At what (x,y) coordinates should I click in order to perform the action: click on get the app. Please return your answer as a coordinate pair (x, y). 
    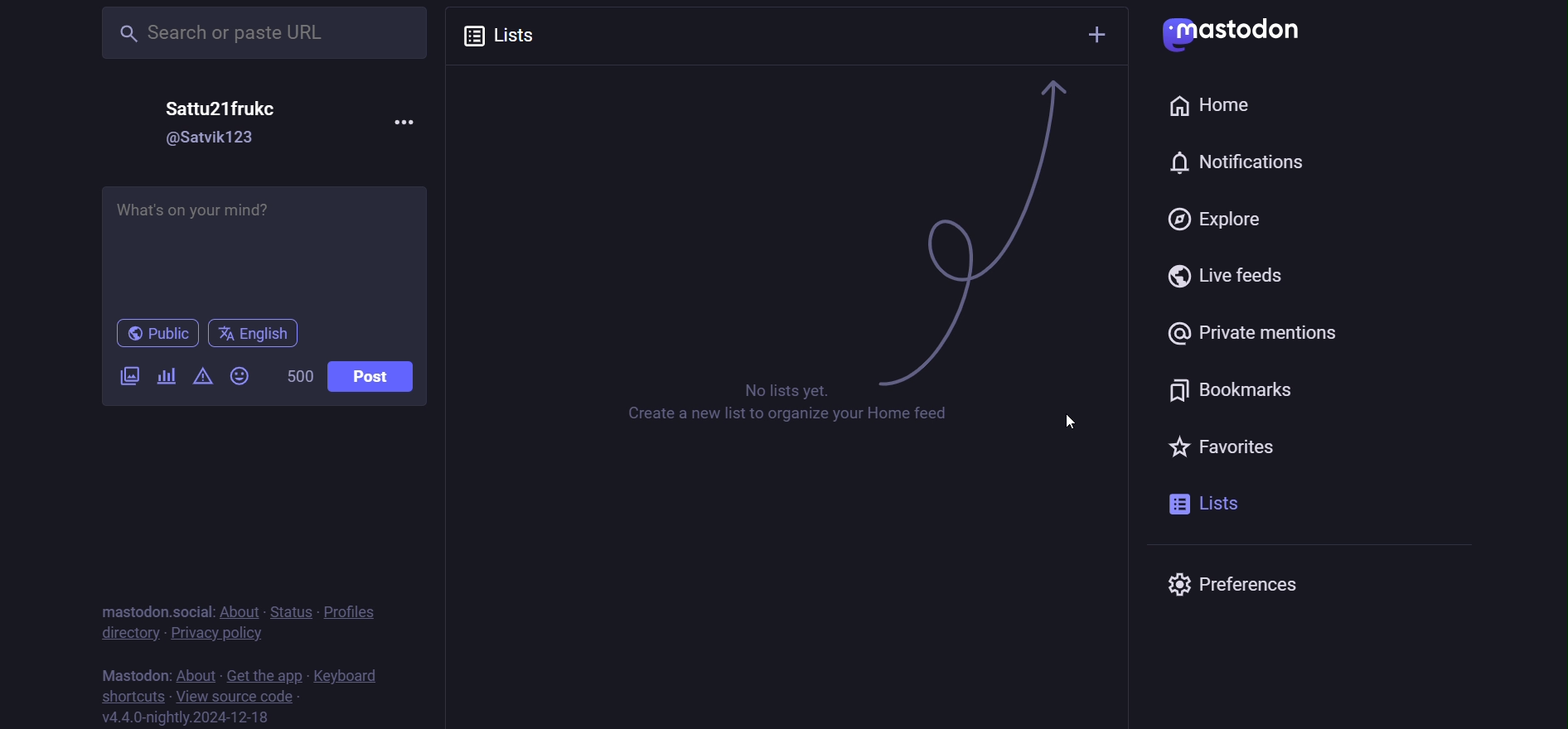
    Looking at the image, I should click on (264, 672).